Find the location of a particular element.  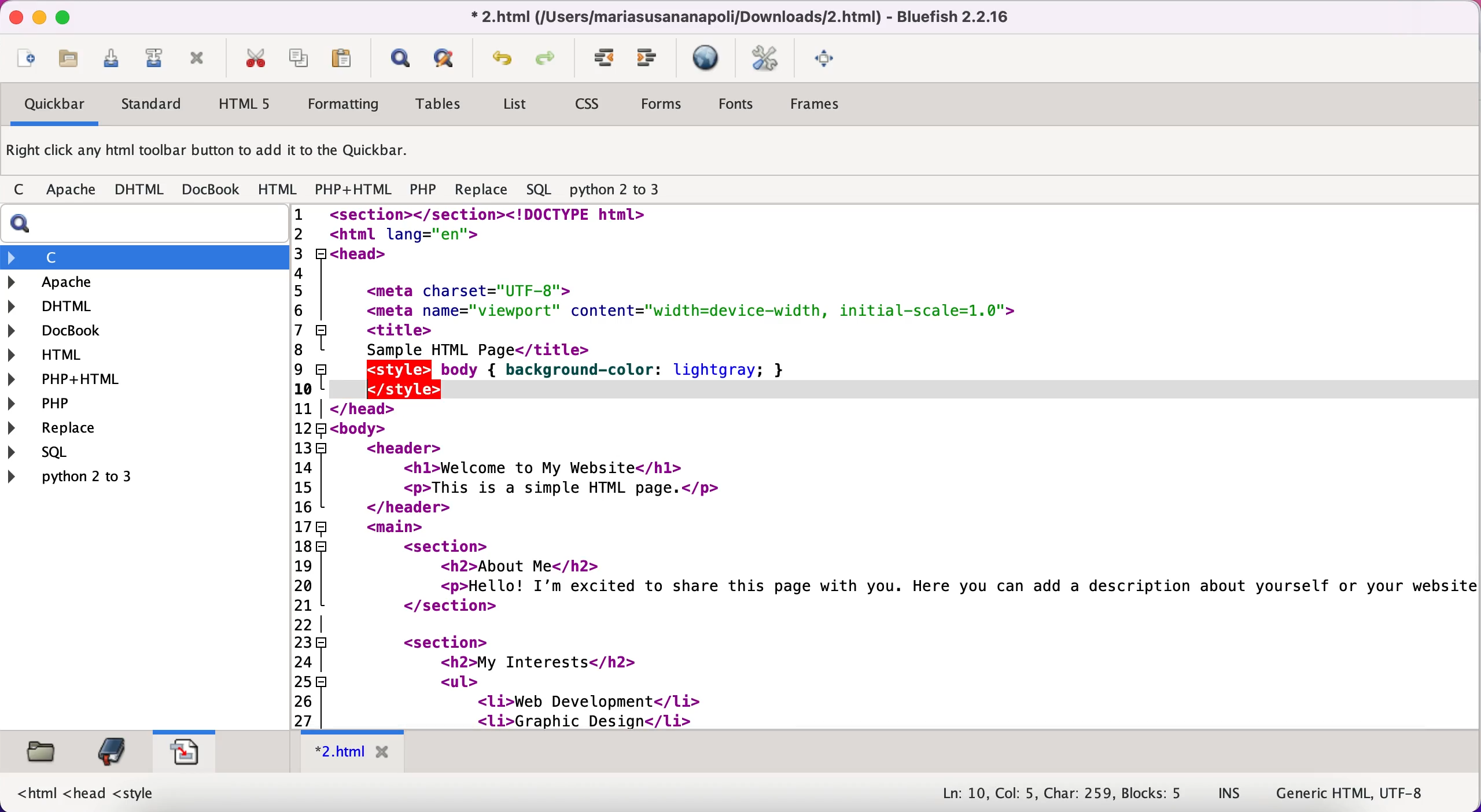

python 2 to 3 is located at coordinates (84, 476).